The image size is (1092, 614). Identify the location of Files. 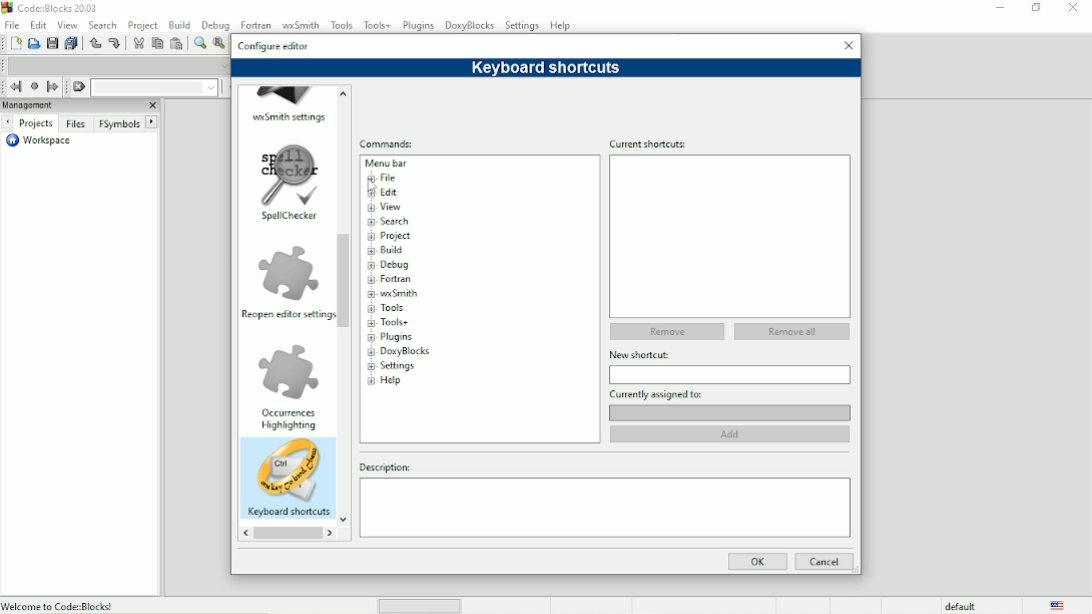
(76, 125).